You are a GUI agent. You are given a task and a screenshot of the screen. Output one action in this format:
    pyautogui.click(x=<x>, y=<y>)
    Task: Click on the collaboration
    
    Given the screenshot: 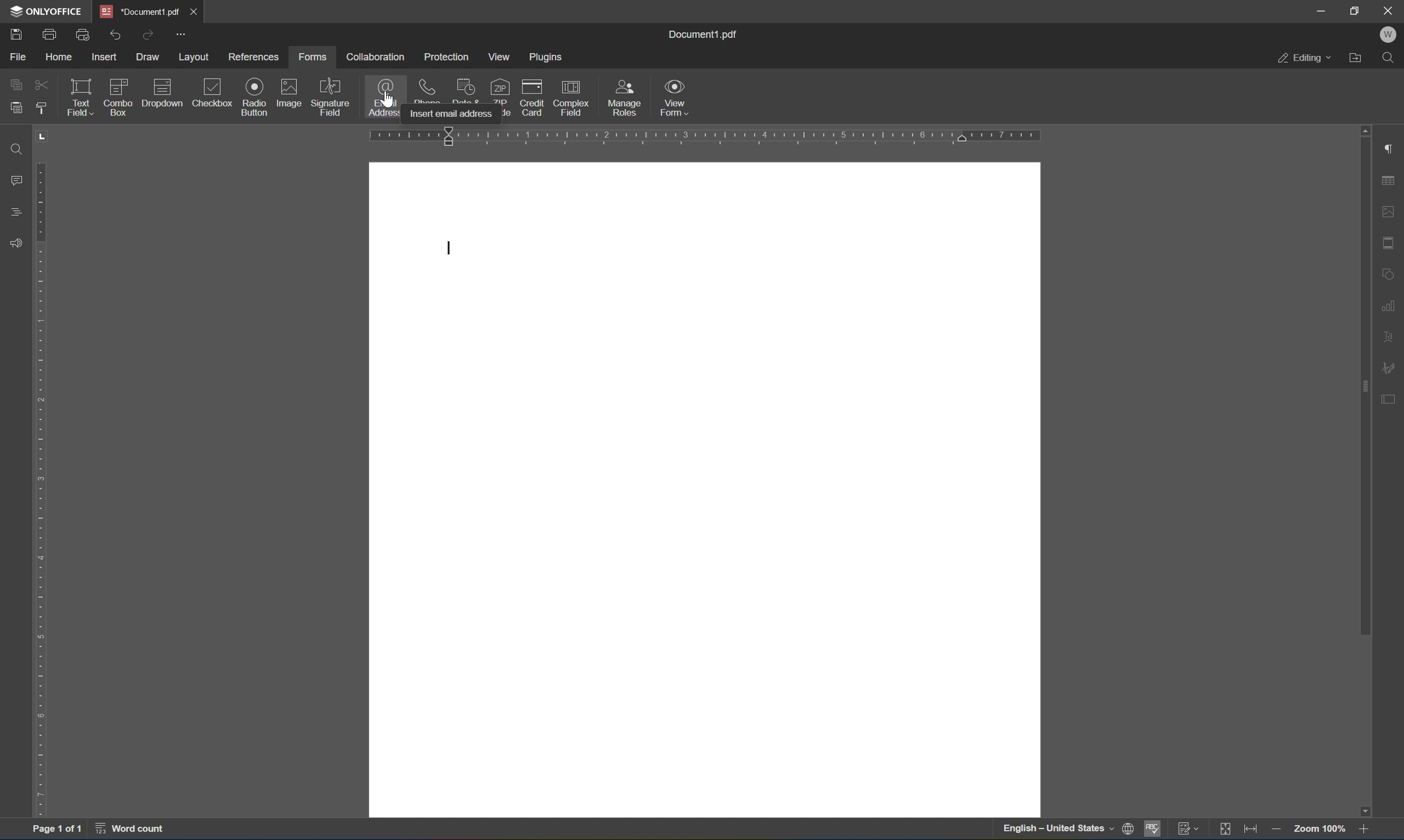 What is the action you would take?
    pyautogui.click(x=378, y=58)
    